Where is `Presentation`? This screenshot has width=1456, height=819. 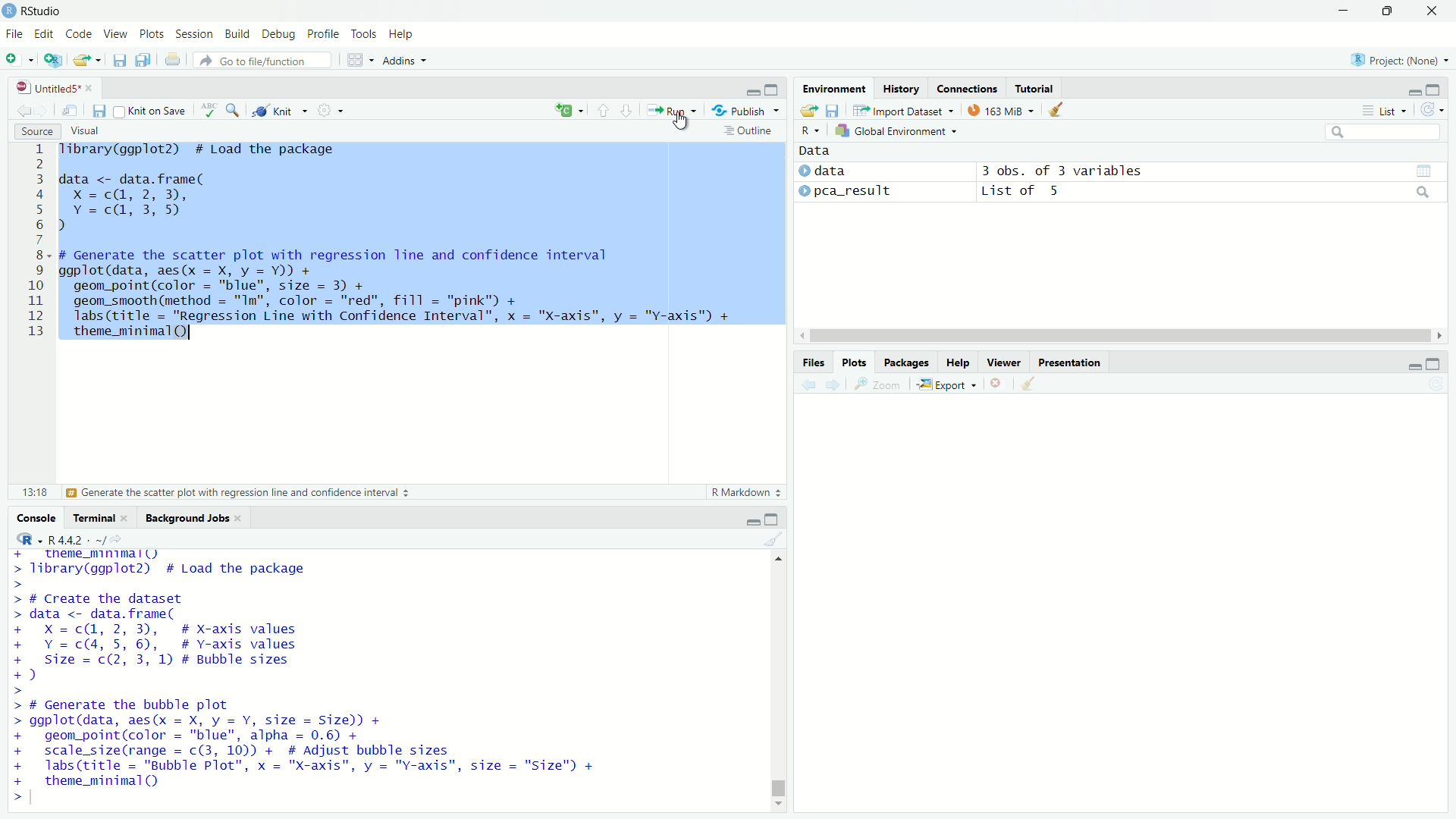 Presentation is located at coordinates (1069, 362).